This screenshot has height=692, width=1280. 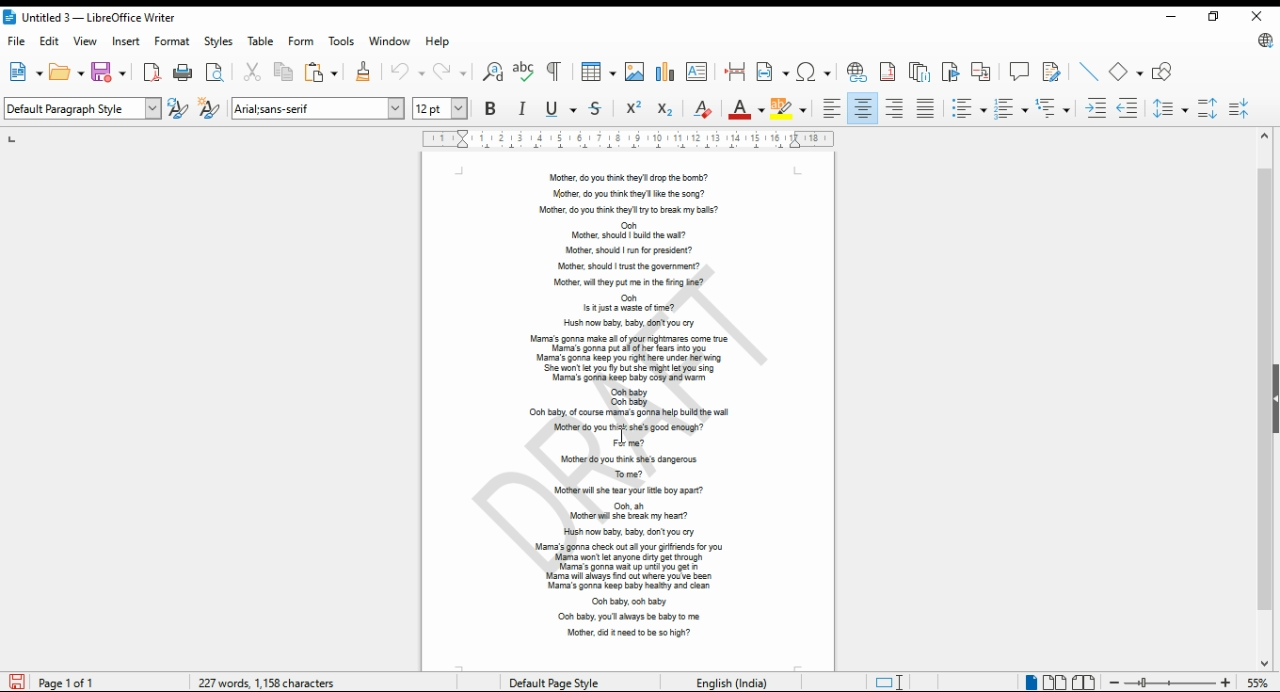 I want to click on save, so click(x=110, y=71).